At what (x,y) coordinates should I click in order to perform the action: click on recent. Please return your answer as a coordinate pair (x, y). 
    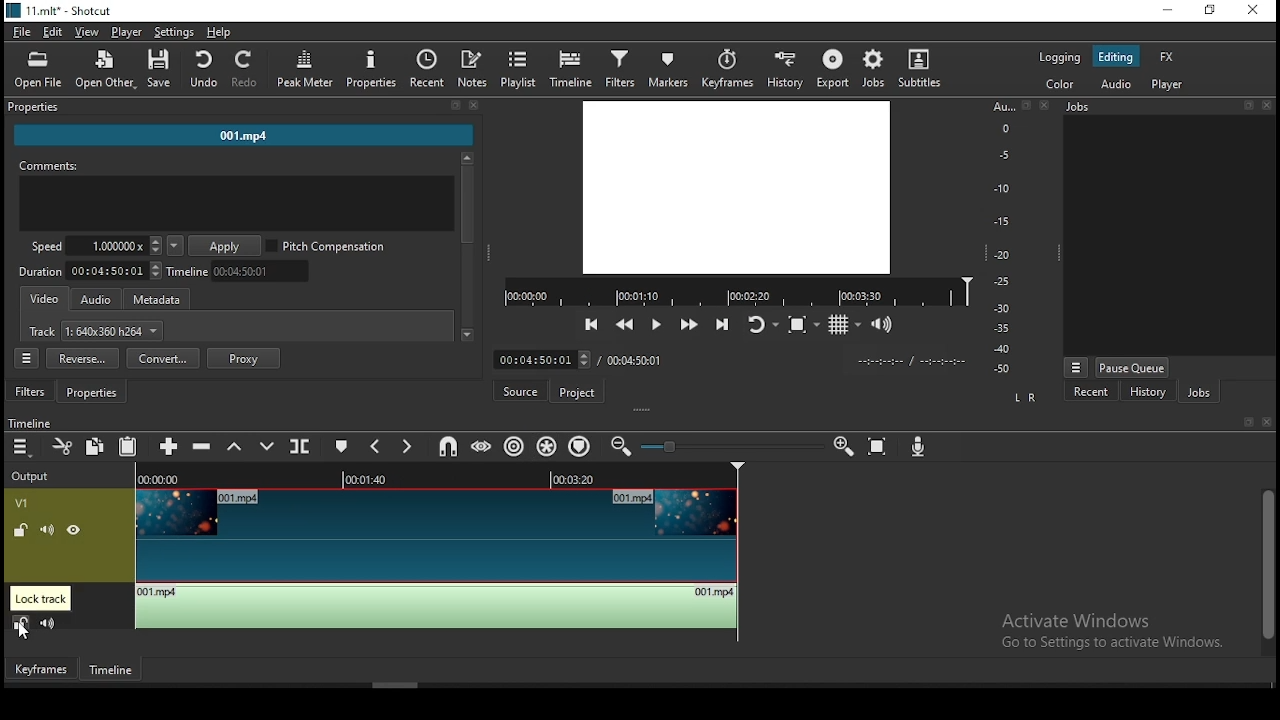
    Looking at the image, I should click on (426, 67).